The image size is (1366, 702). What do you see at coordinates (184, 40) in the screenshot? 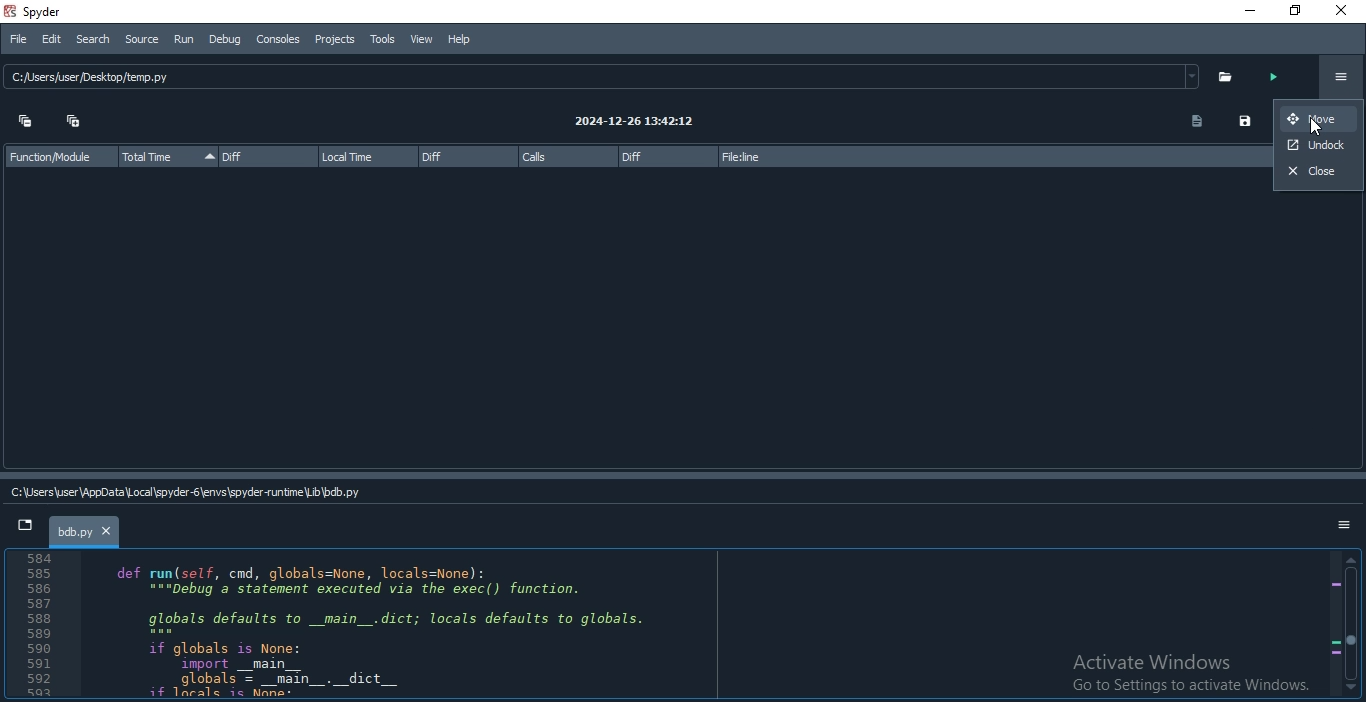
I see `Run` at bounding box center [184, 40].